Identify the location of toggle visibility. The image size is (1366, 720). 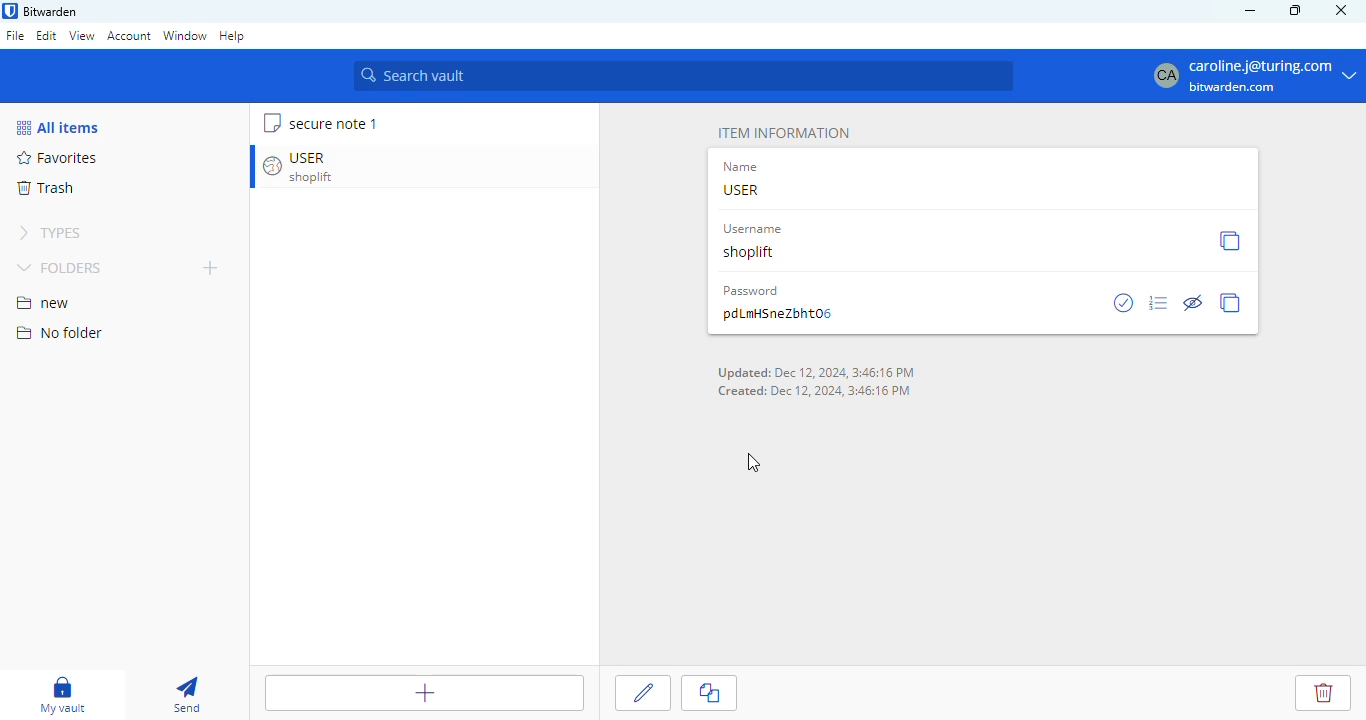
(1194, 297).